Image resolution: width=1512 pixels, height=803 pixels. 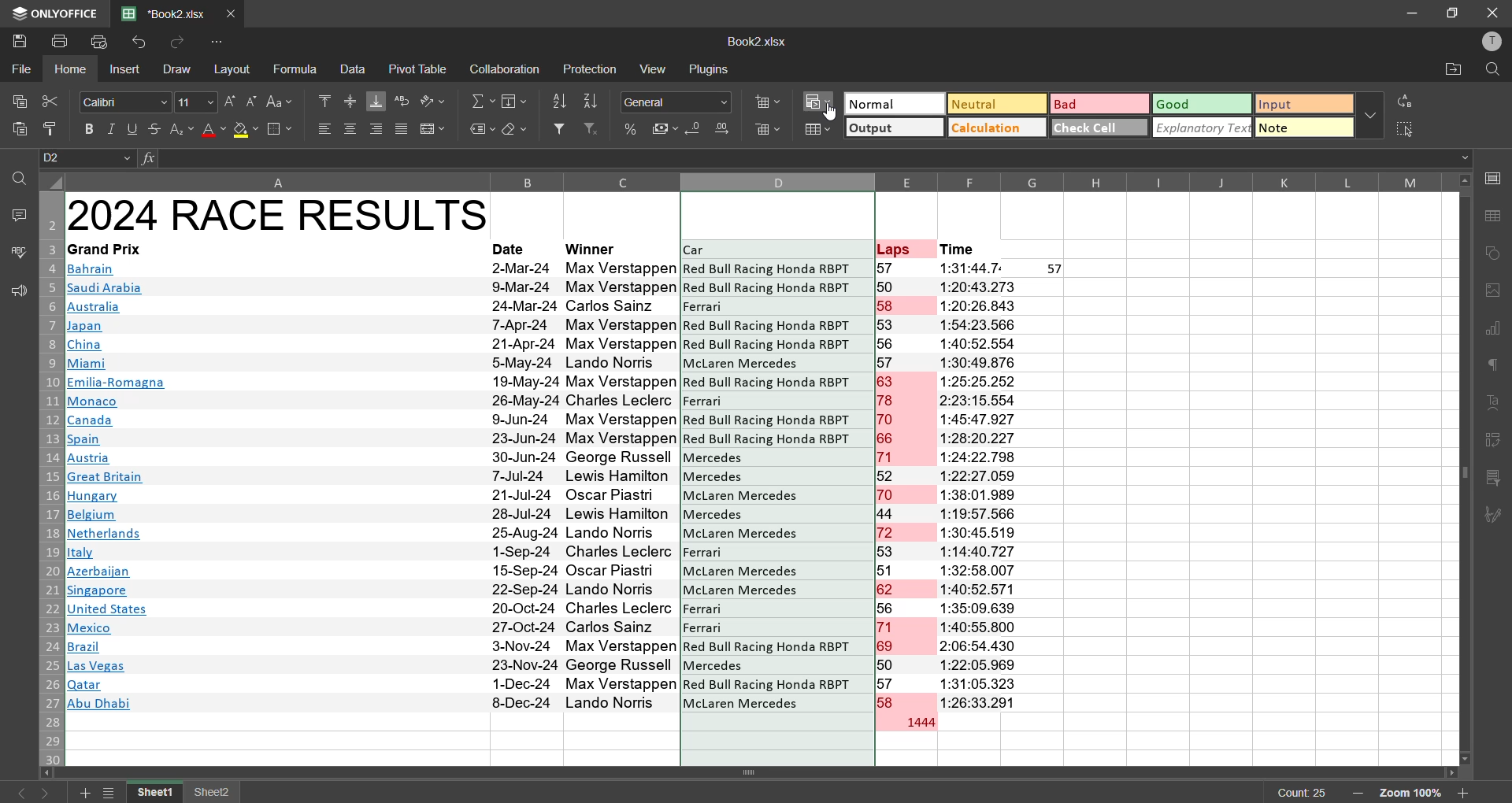 What do you see at coordinates (62, 40) in the screenshot?
I see `print` at bounding box center [62, 40].